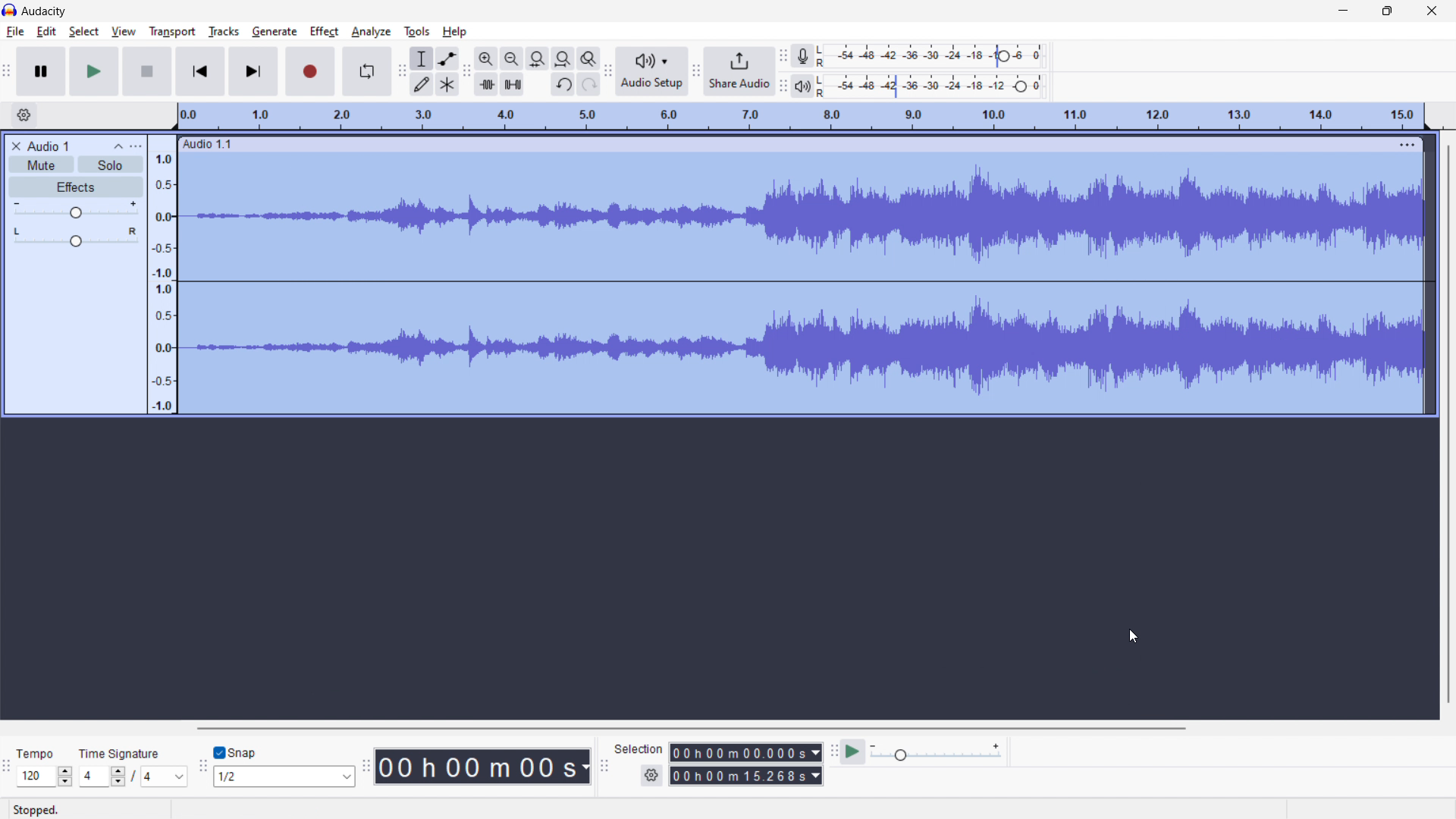 This screenshot has height=819, width=1456. Describe the element at coordinates (833, 752) in the screenshot. I see `play at speed toolbar` at that location.